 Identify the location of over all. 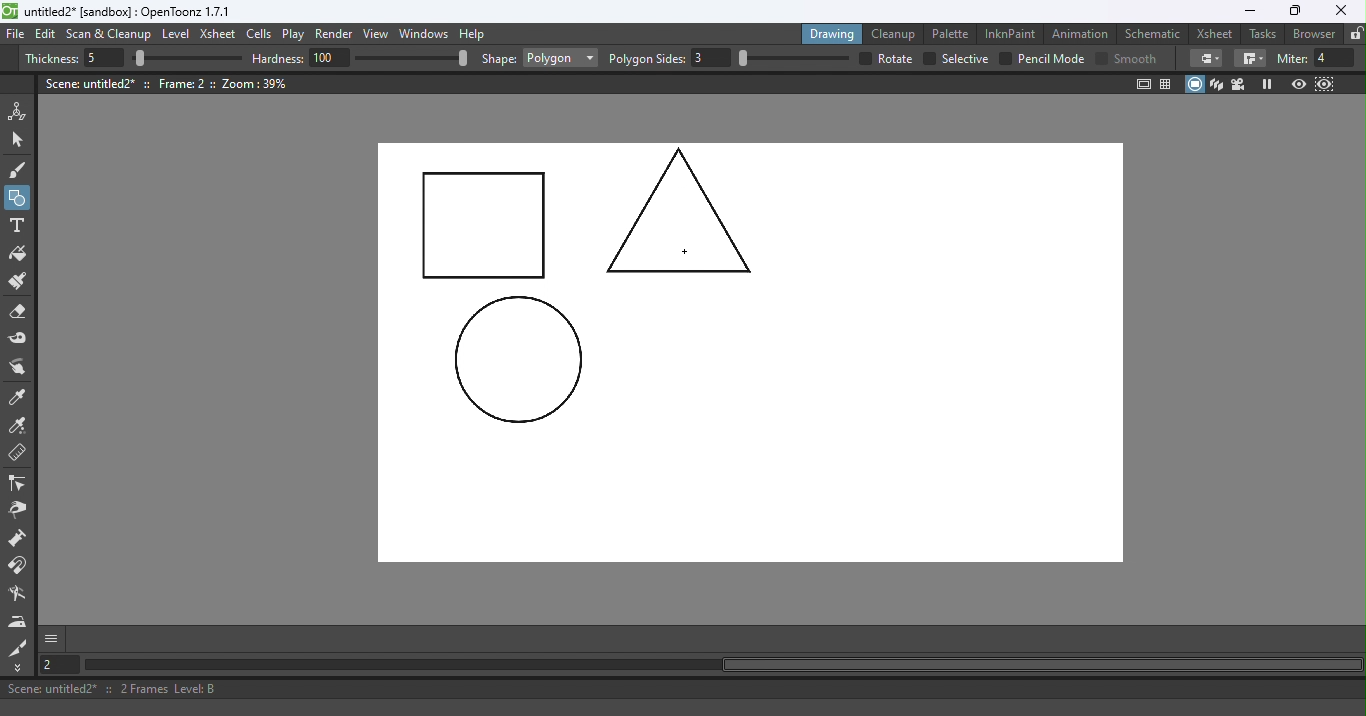
(897, 58).